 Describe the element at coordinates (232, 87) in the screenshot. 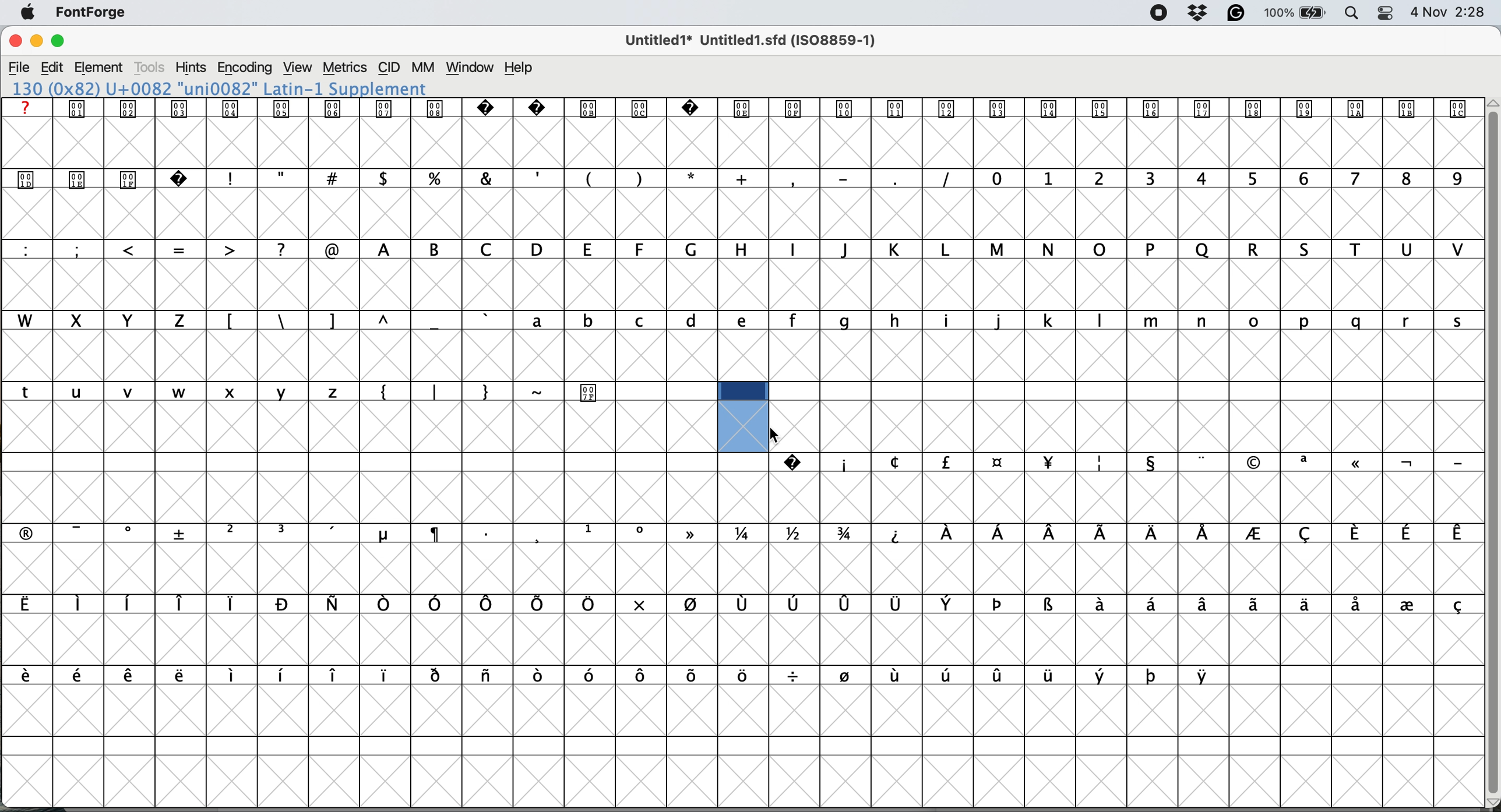

I see `font name` at that location.